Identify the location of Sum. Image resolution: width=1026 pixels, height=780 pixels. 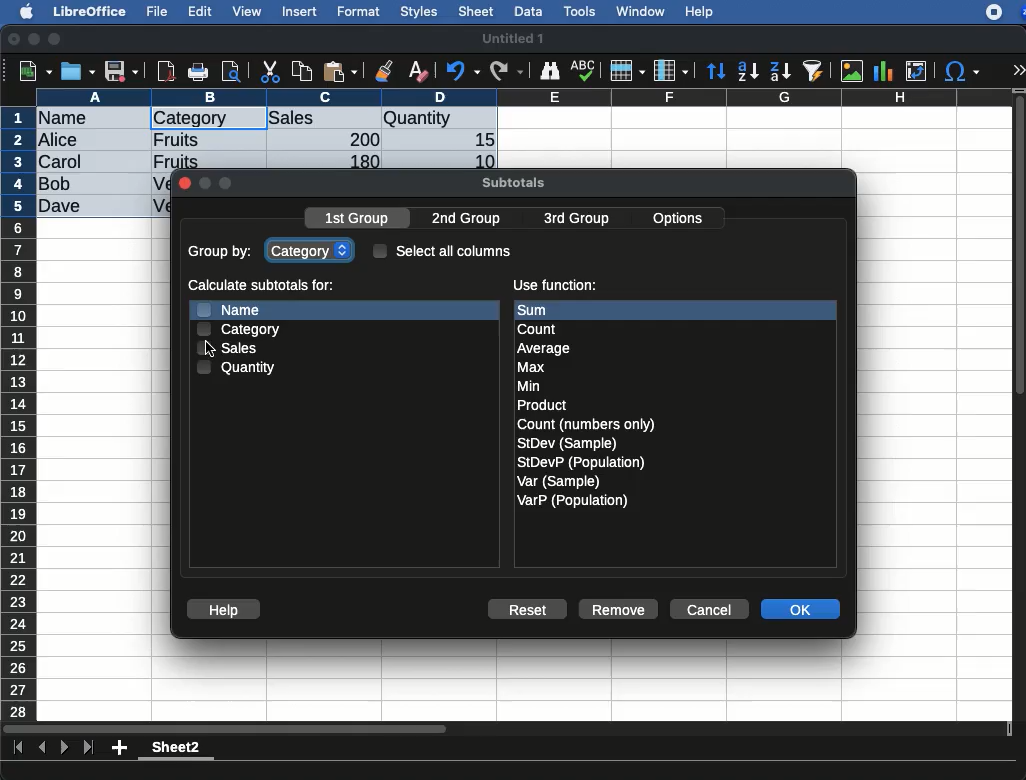
(546, 310).